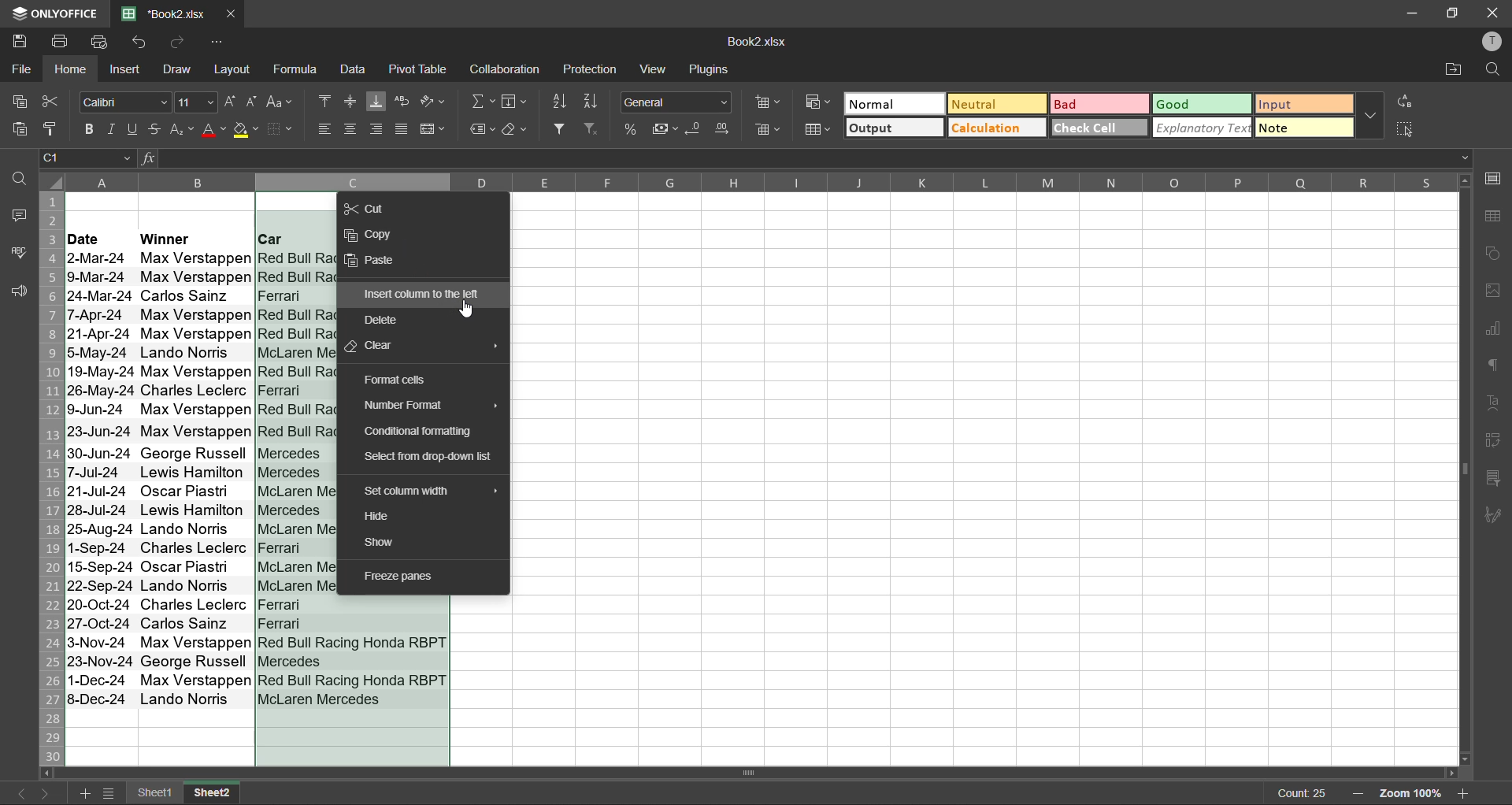 The height and width of the screenshot is (805, 1512). I want to click on print, so click(59, 42).